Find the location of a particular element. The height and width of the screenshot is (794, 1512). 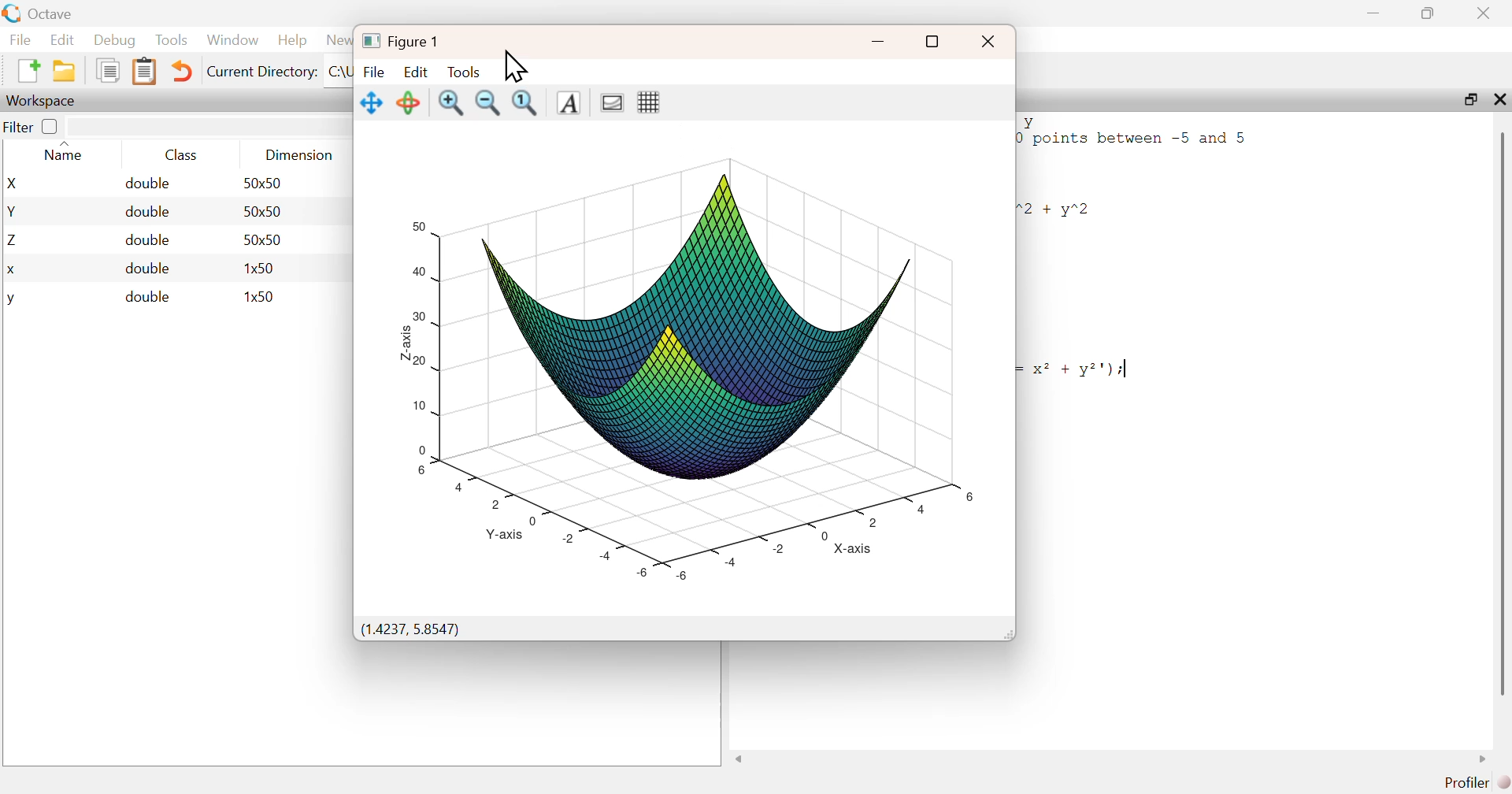

Debug is located at coordinates (115, 39).